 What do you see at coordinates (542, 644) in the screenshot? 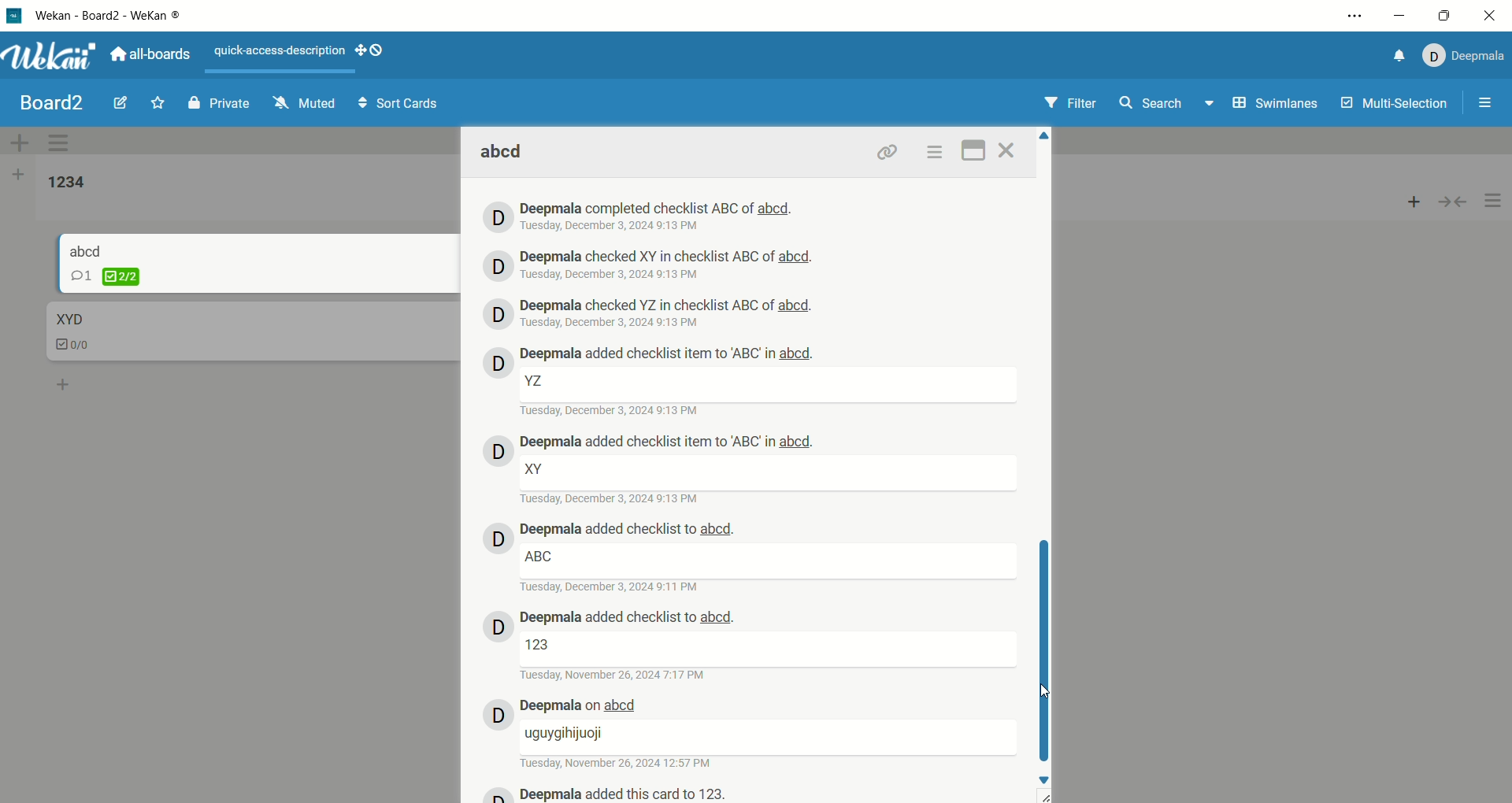
I see `text` at bounding box center [542, 644].